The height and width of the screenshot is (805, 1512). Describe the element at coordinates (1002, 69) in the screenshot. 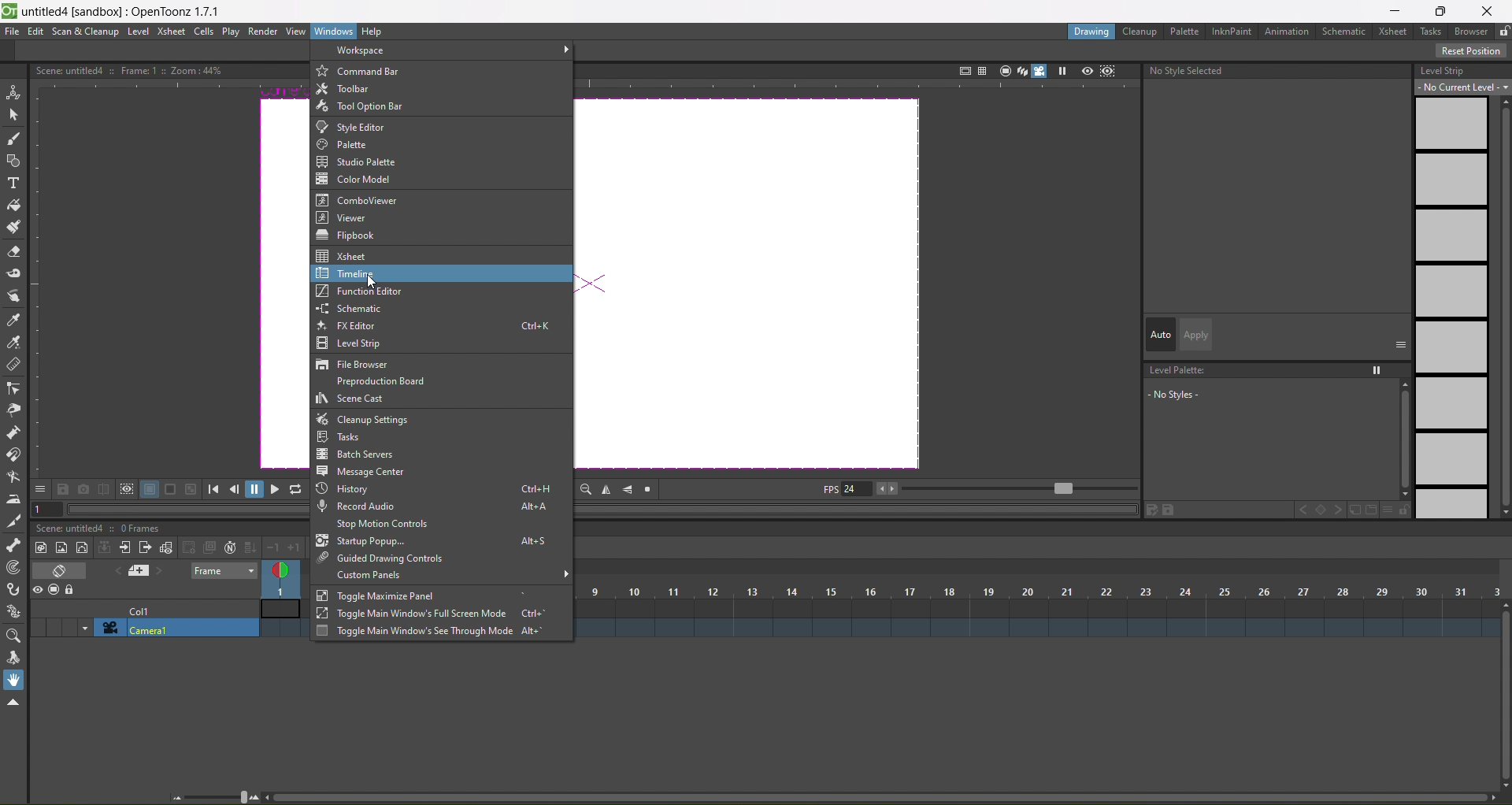

I see `camera stand view` at that location.